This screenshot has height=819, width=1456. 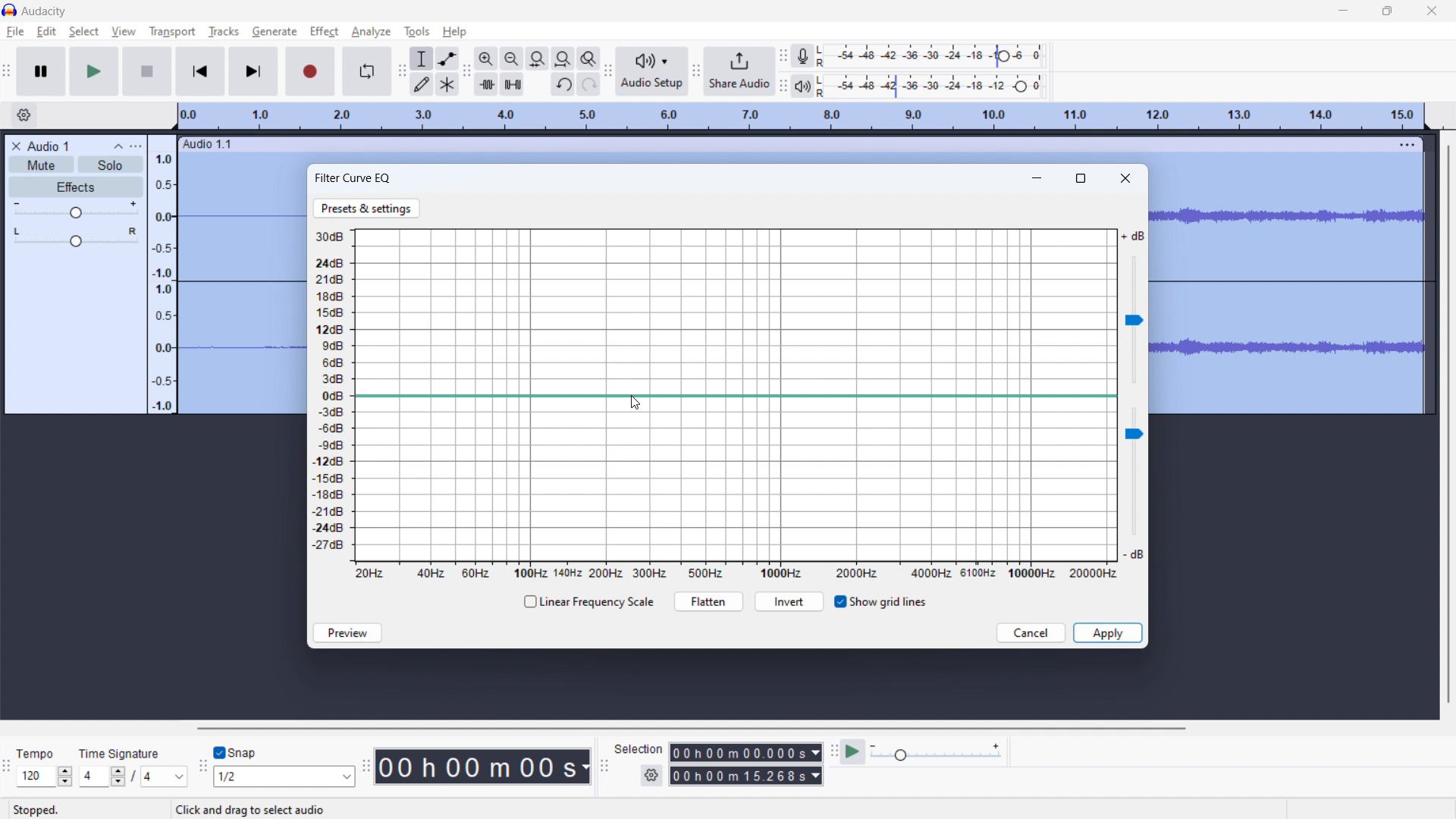 I want to click on presets & settings, so click(x=367, y=209).